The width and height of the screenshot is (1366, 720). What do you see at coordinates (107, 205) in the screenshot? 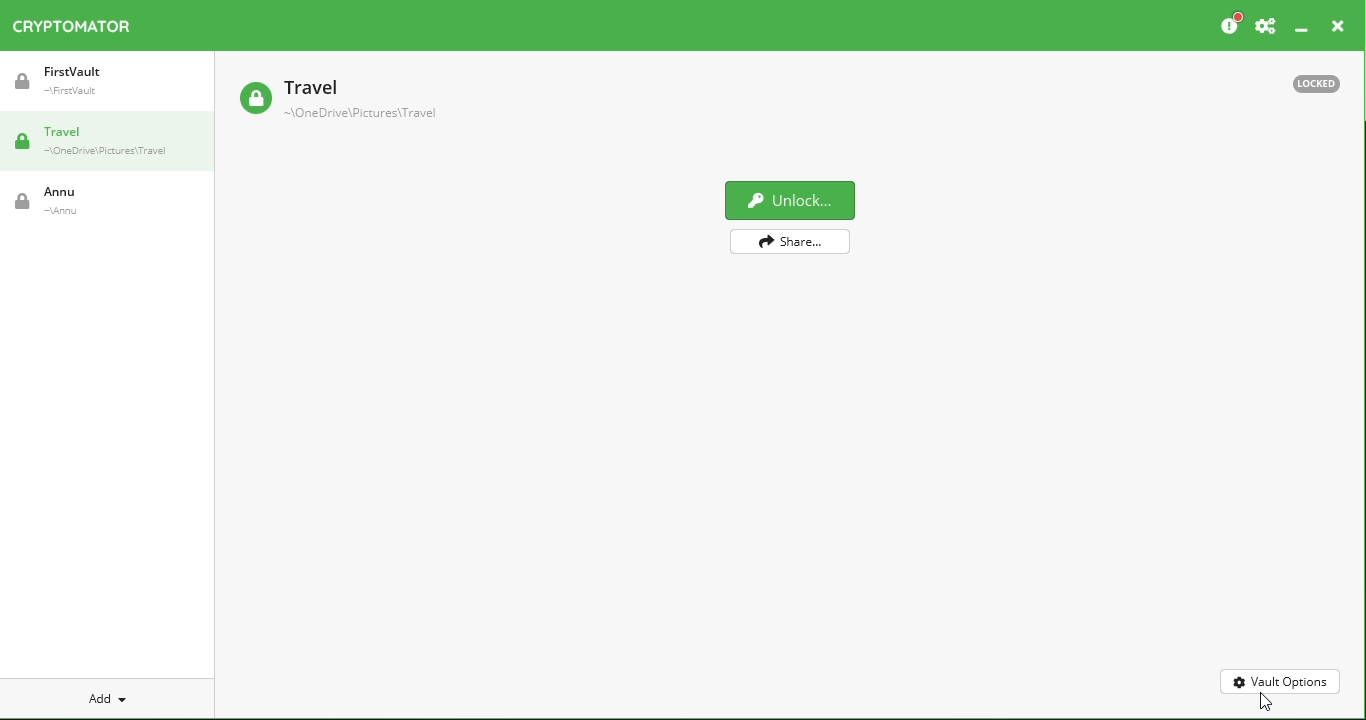
I see `Annu` at bounding box center [107, 205].